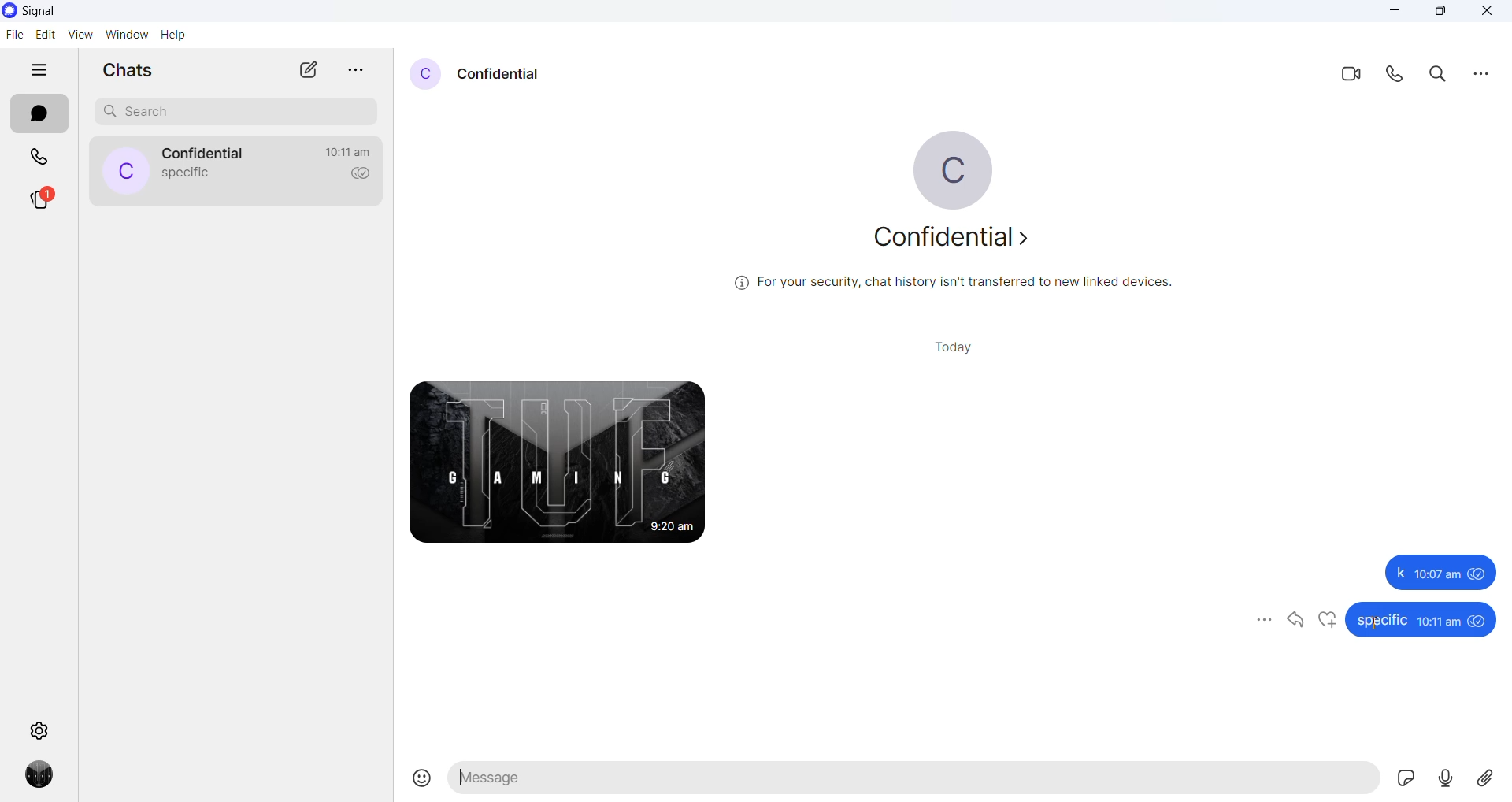 The height and width of the screenshot is (802, 1512). Describe the element at coordinates (1261, 620) in the screenshot. I see `more options` at that location.